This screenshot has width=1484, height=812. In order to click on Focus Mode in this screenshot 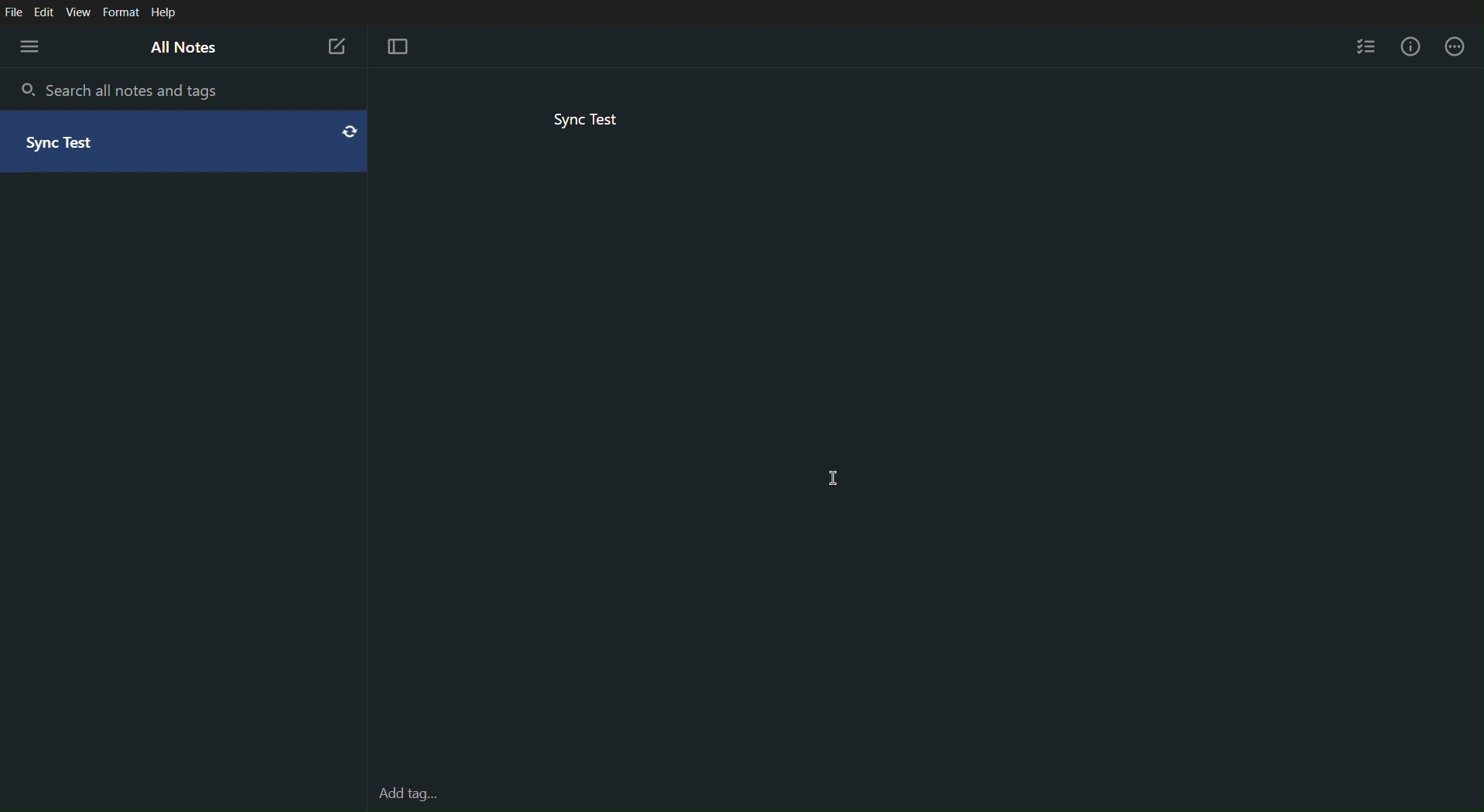, I will do `click(395, 46)`.